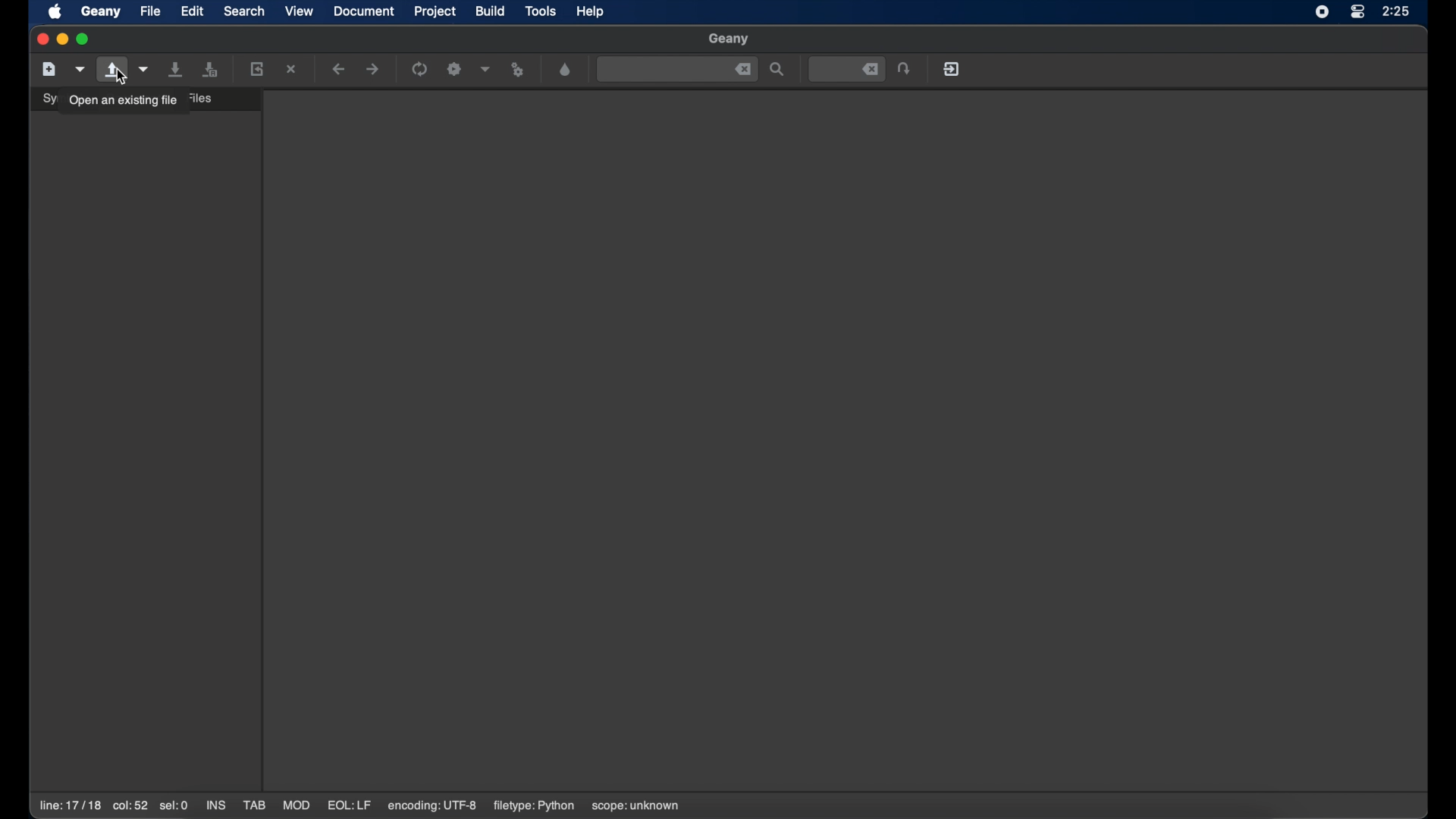 The image size is (1456, 819). What do you see at coordinates (436, 11) in the screenshot?
I see `project` at bounding box center [436, 11].